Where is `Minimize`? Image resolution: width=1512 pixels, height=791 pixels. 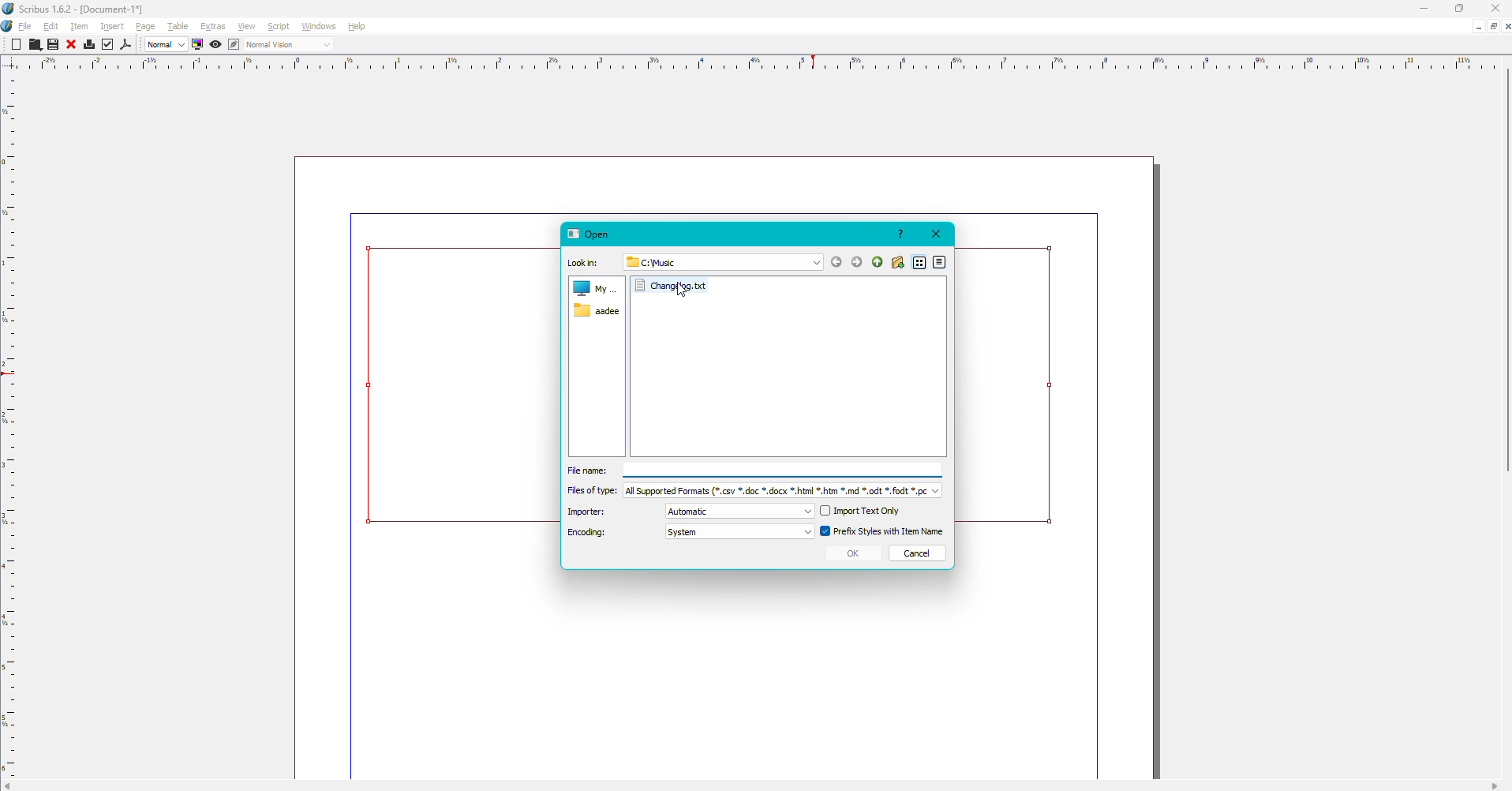 Minimize is located at coordinates (1419, 9).